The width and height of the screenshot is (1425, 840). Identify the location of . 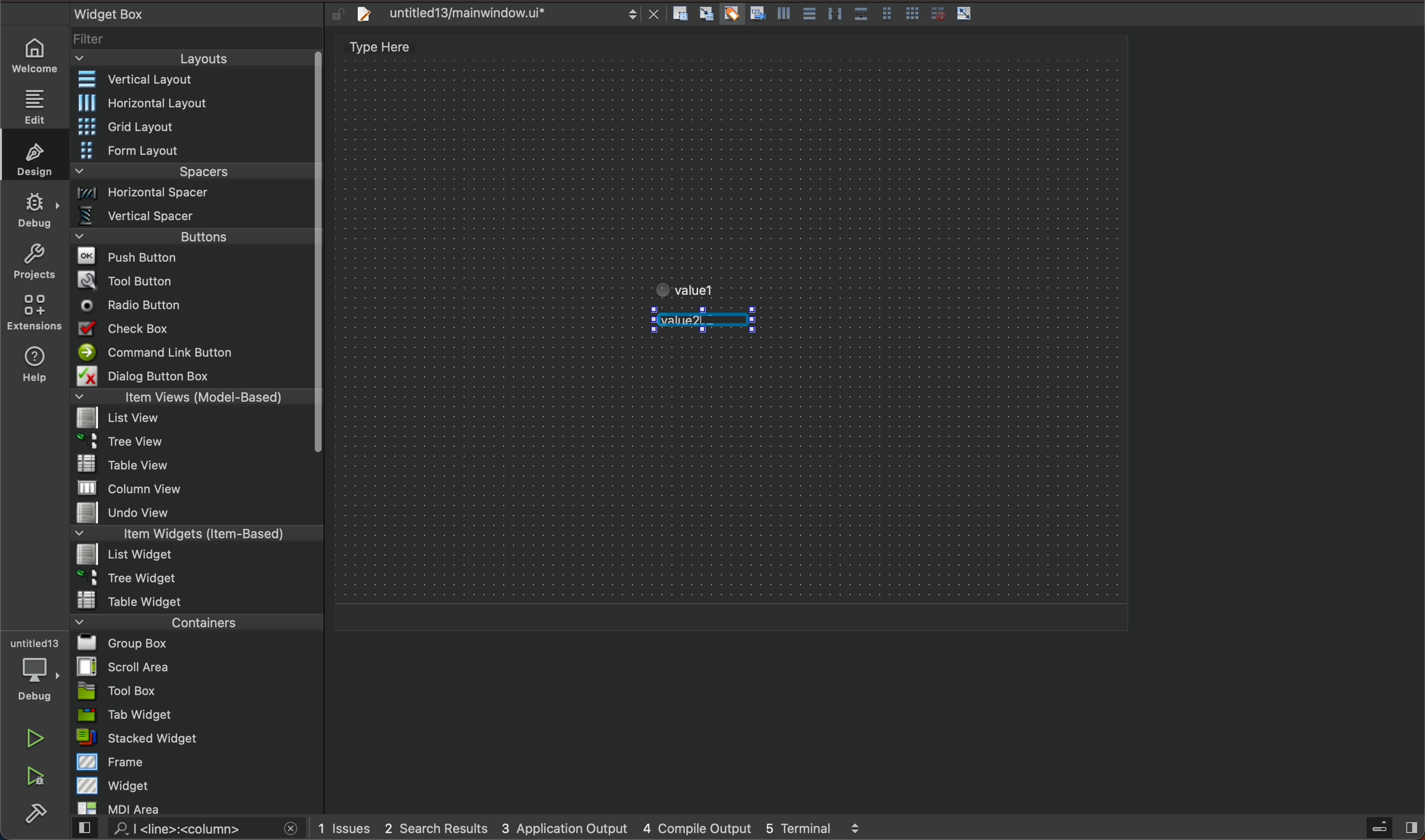
(886, 15).